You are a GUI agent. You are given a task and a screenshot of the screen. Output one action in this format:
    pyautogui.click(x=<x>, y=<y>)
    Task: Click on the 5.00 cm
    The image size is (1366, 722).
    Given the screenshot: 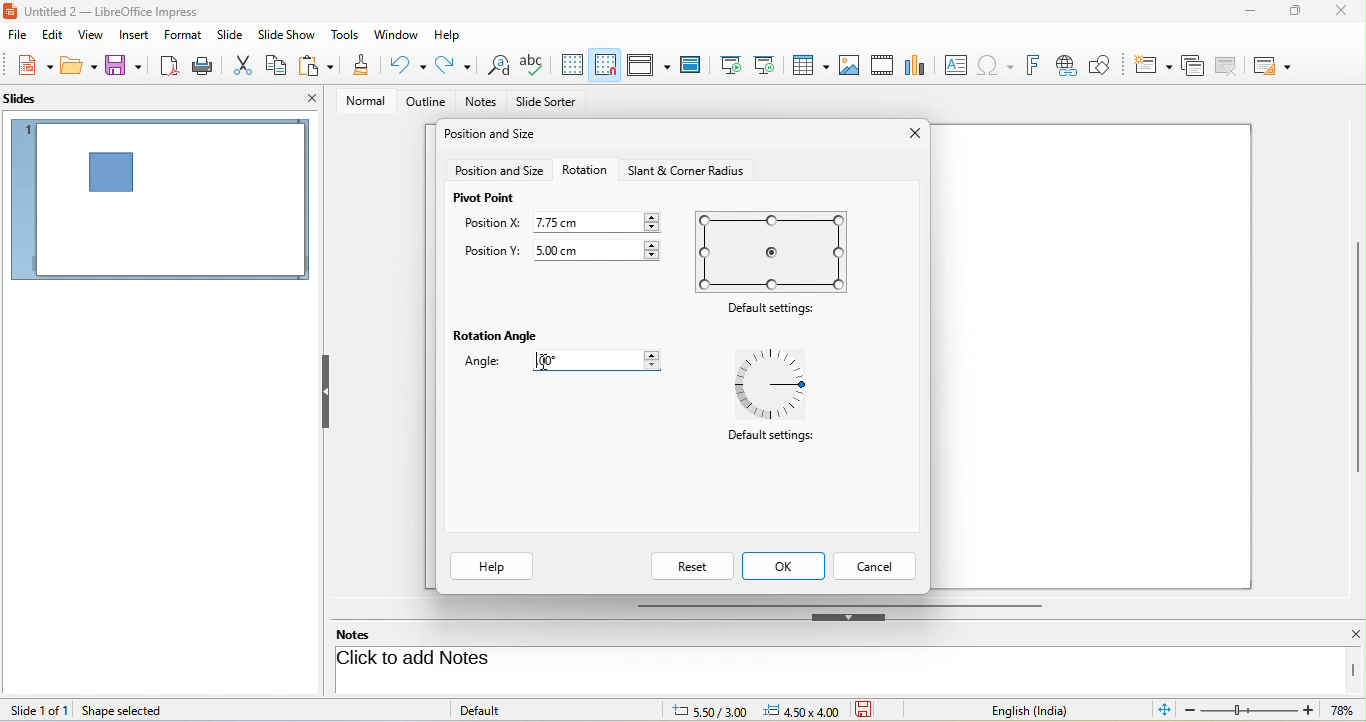 What is the action you would take?
    pyautogui.click(x=601, y=248)
    